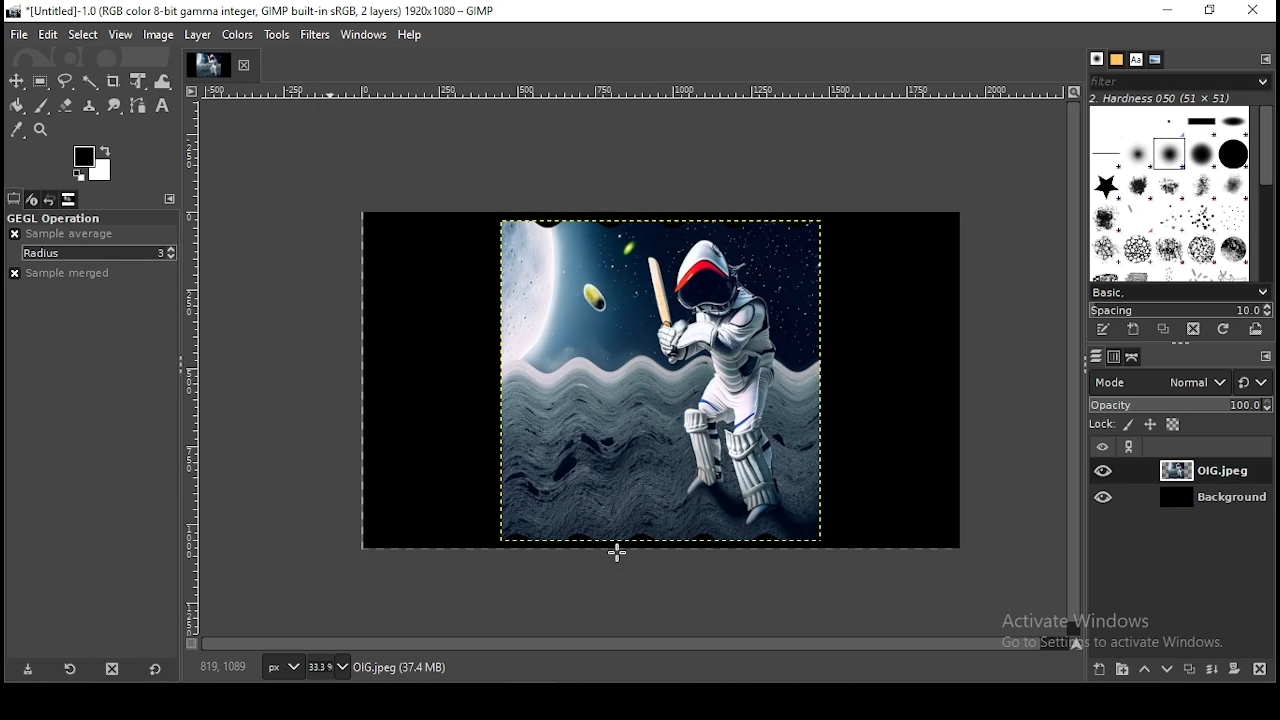 This screenshot has height=720, width=1280. What do you see at coordinates (1136, 60) in the screenshot?
I see `fonts` at bounding box center [1136, 60].